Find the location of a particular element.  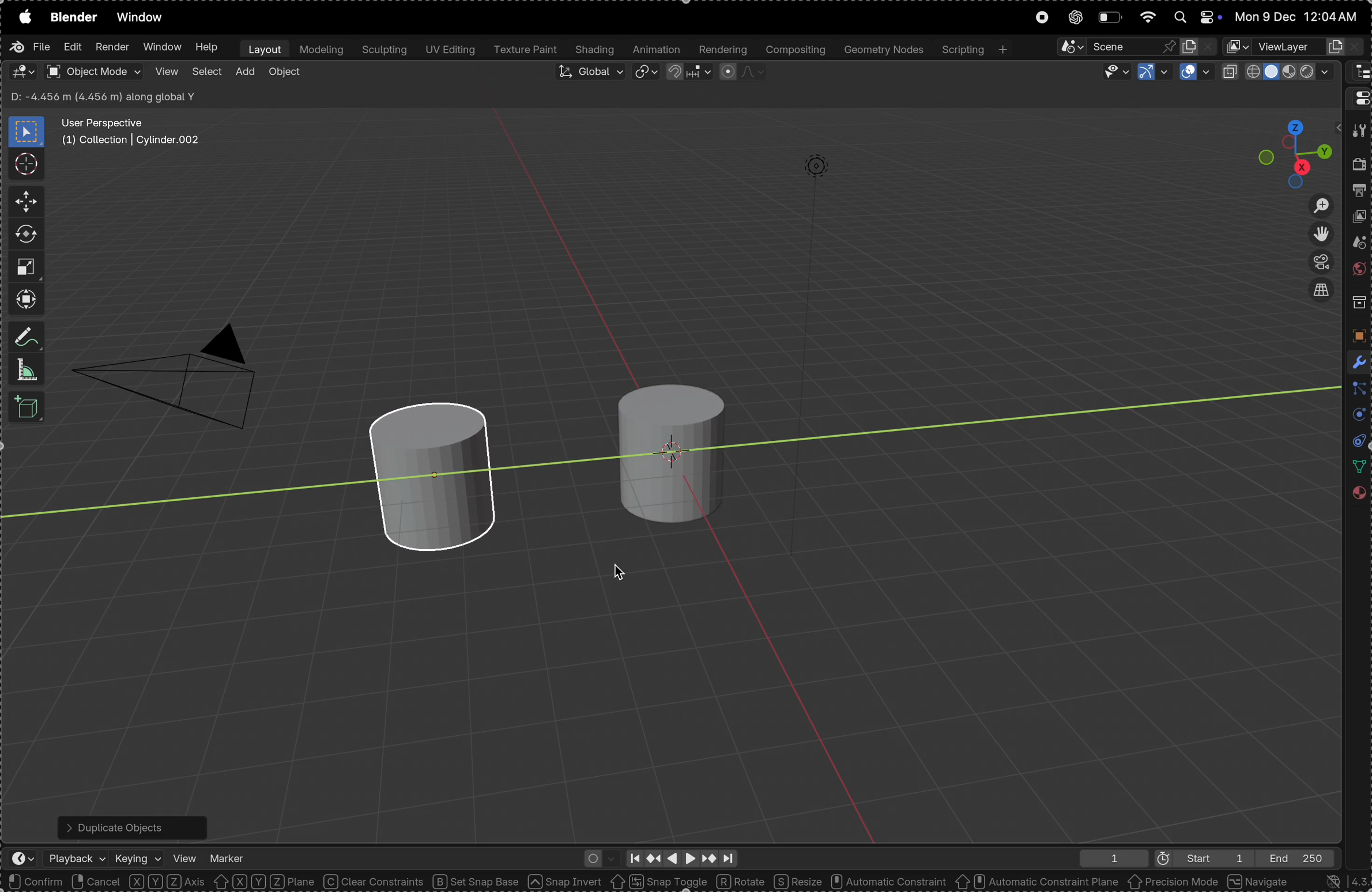

options is located at coordinates (1302, 98).